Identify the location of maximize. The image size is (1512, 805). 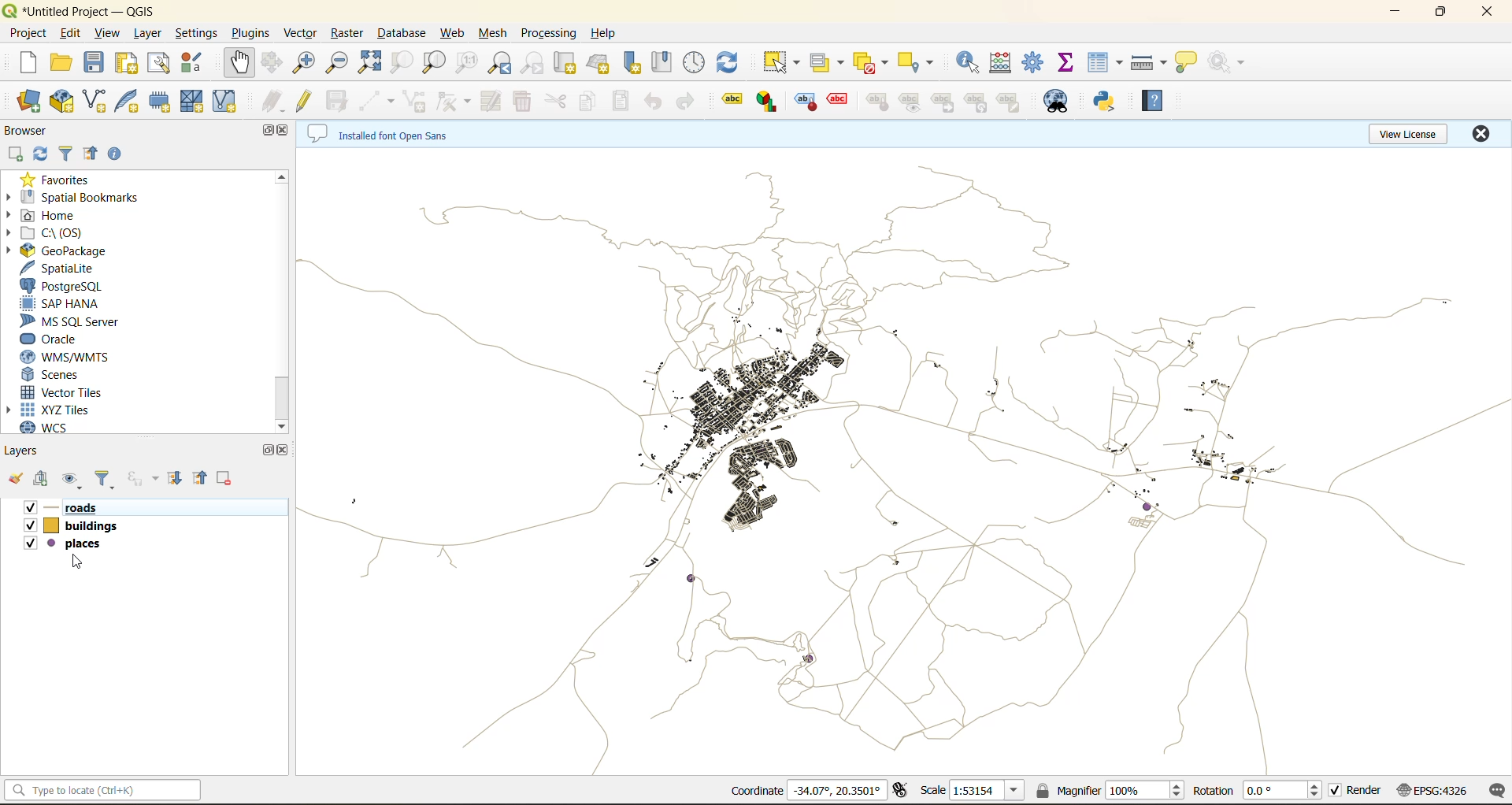
(272, 451).